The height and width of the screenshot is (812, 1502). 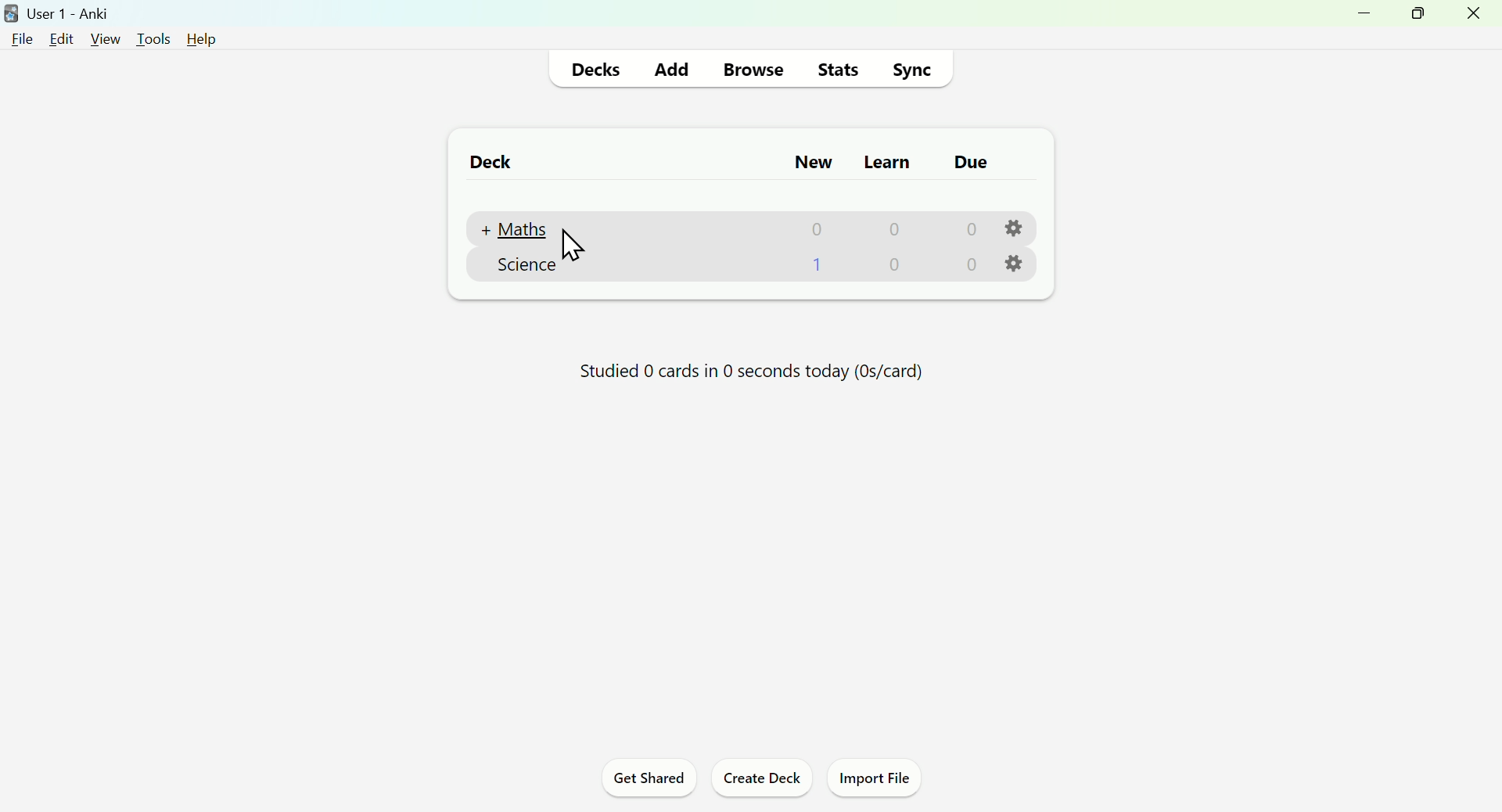 I want to click on Browse, so click(x=749, y=71).